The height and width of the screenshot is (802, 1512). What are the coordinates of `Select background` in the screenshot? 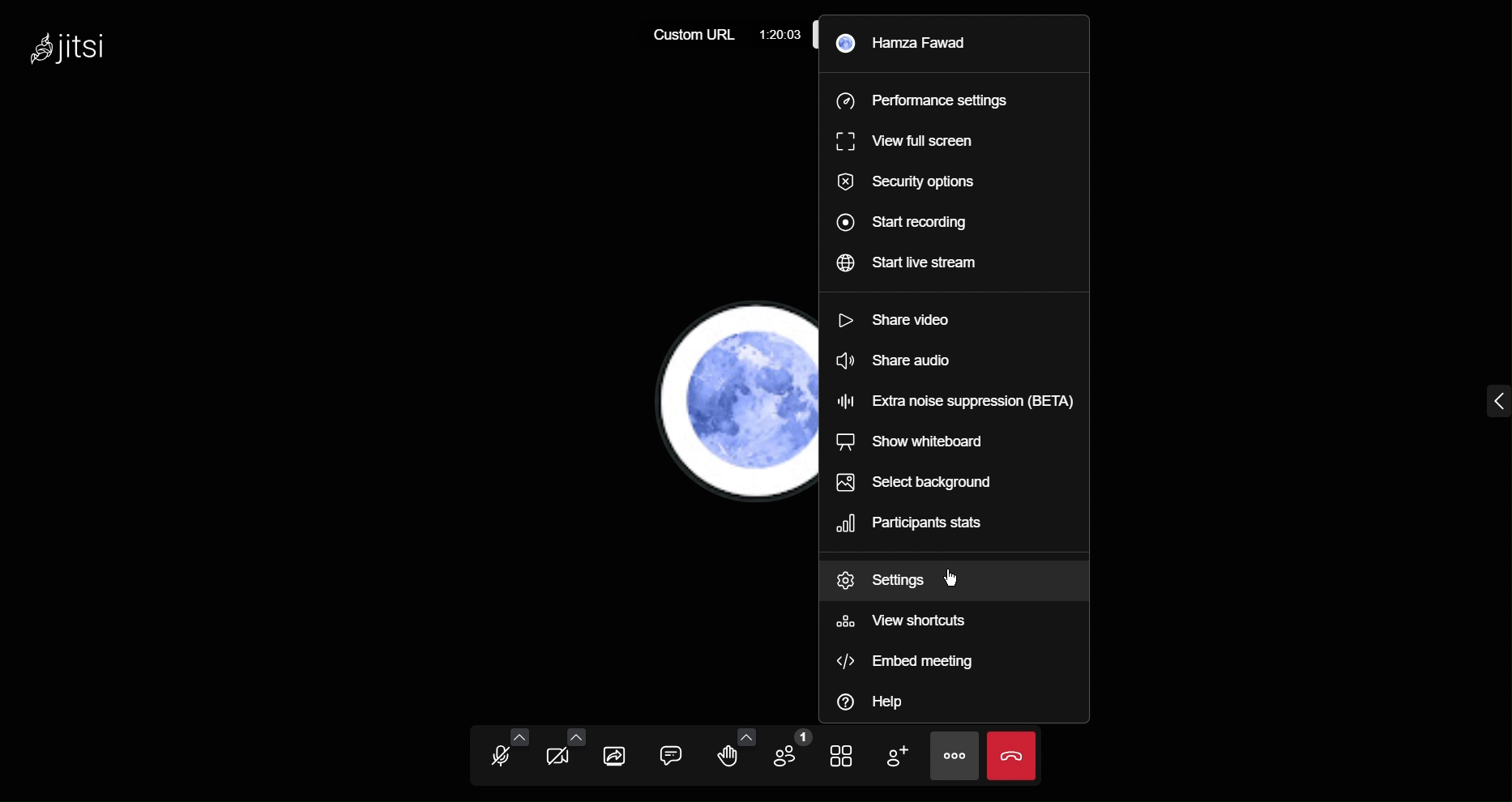 It's located at (914, 482).